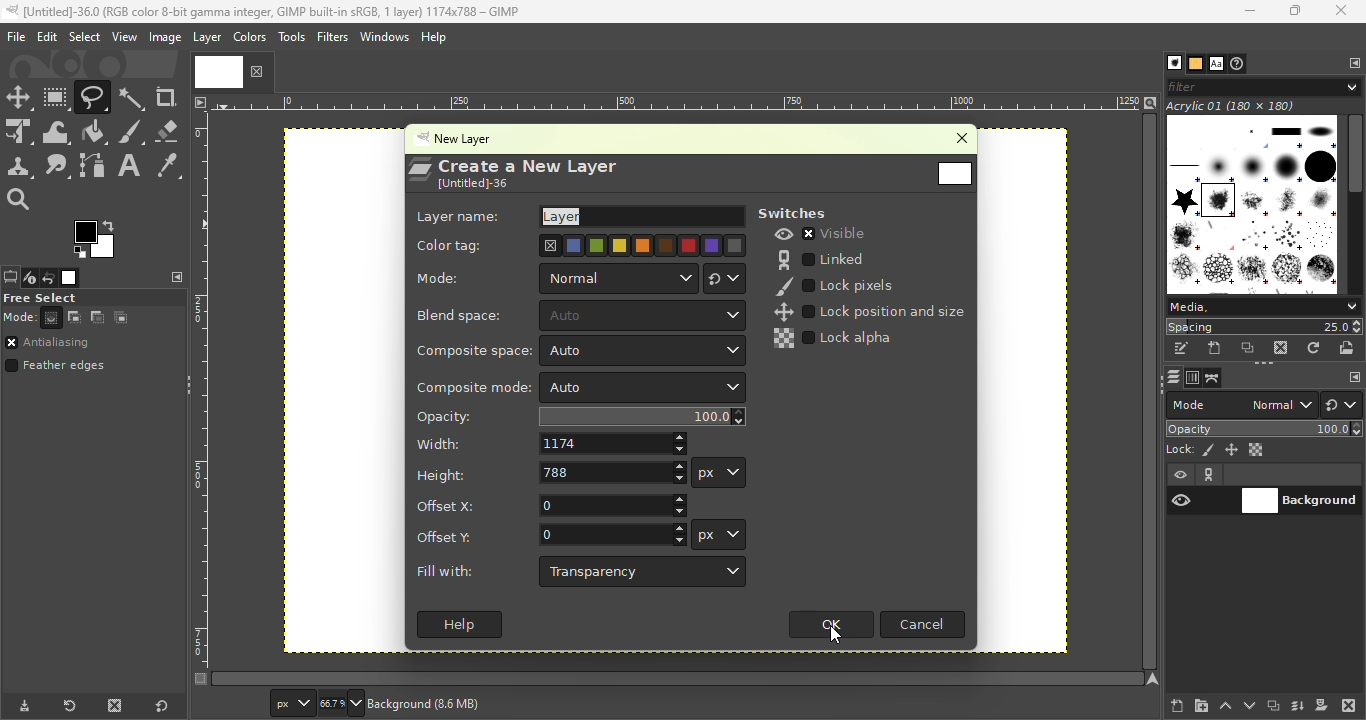 The width and height of the screenshot is (1366, 720). Describe the element at coordinates (555, 278) in the screenshot. I see `Mode` at that location.